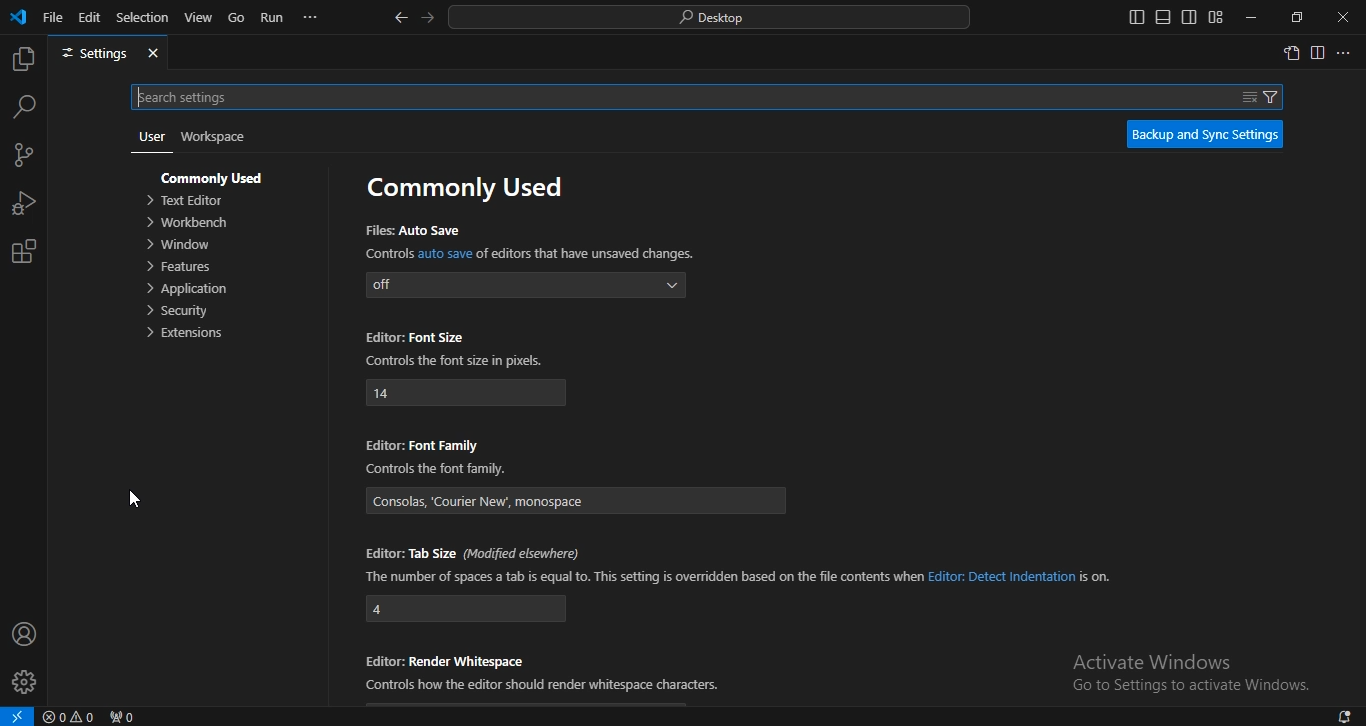  Describe the element at coordinates (187, 334) in the screenshot. I see `extensions` at that location.